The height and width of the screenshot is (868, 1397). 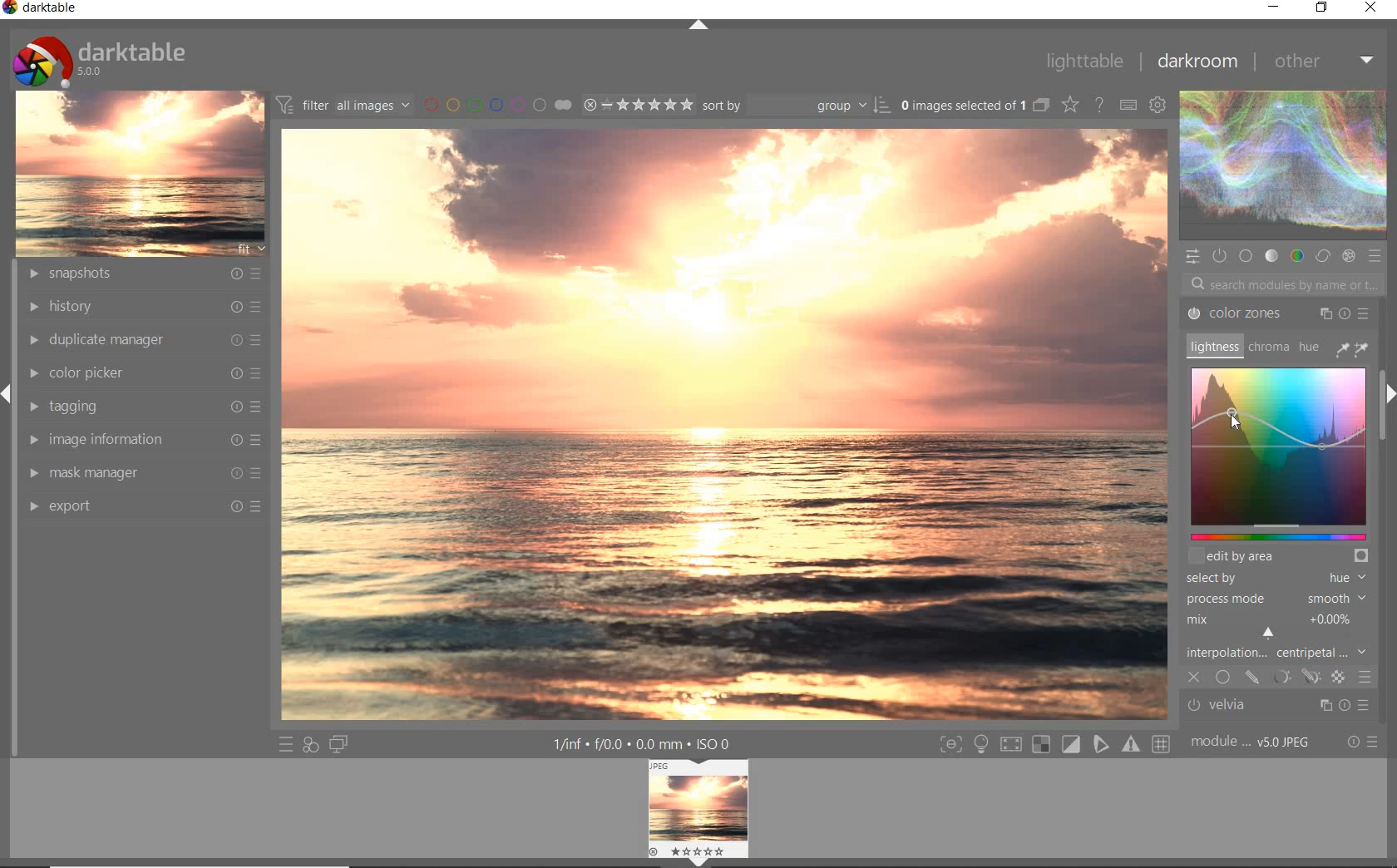 What do you see at coordinates (698, 26) in the screenshot?
I see `EXPAND/COLLAPSE` at bounding box center [698, 26].